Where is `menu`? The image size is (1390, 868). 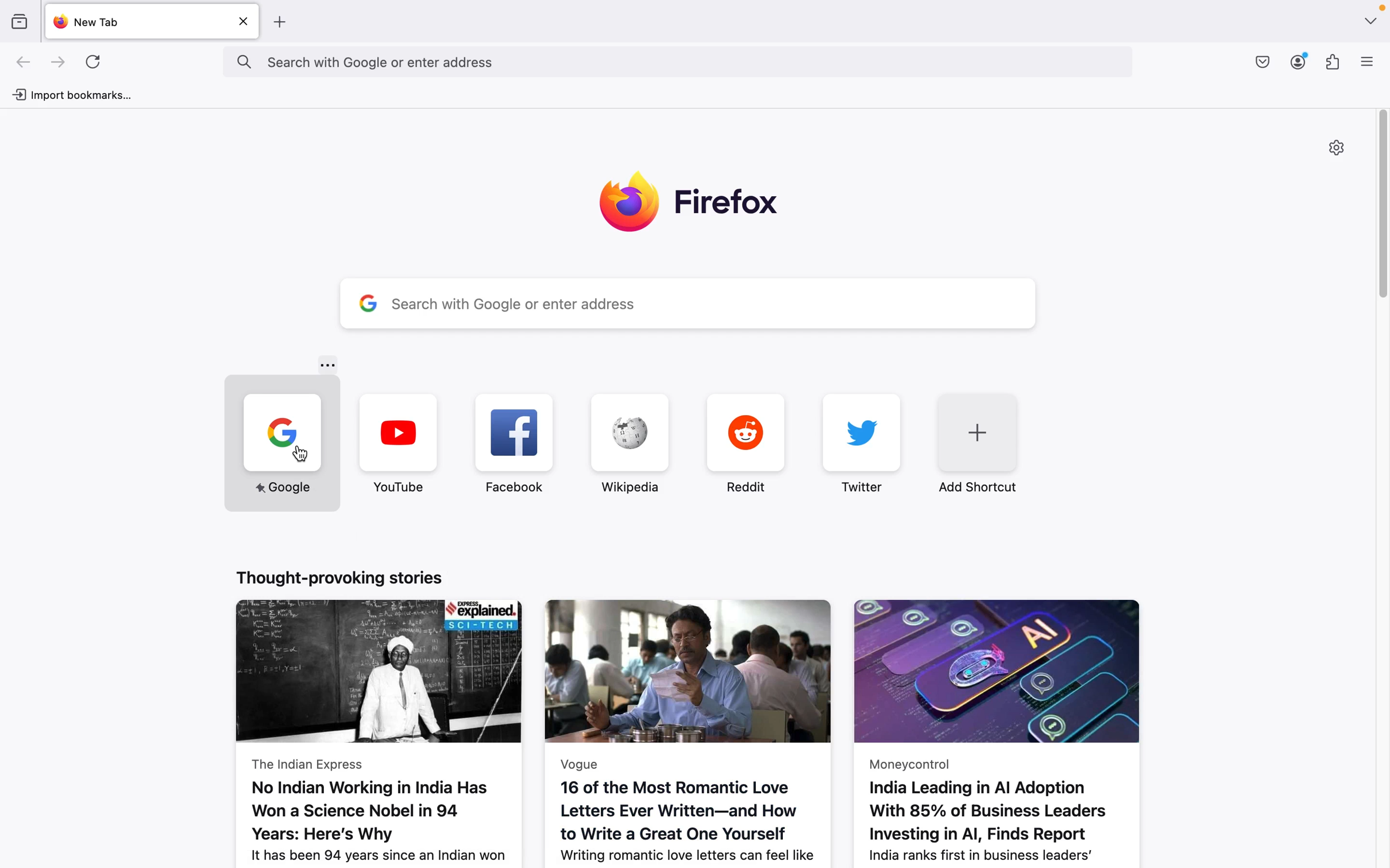 menu is located at coordinates (1369, 64).